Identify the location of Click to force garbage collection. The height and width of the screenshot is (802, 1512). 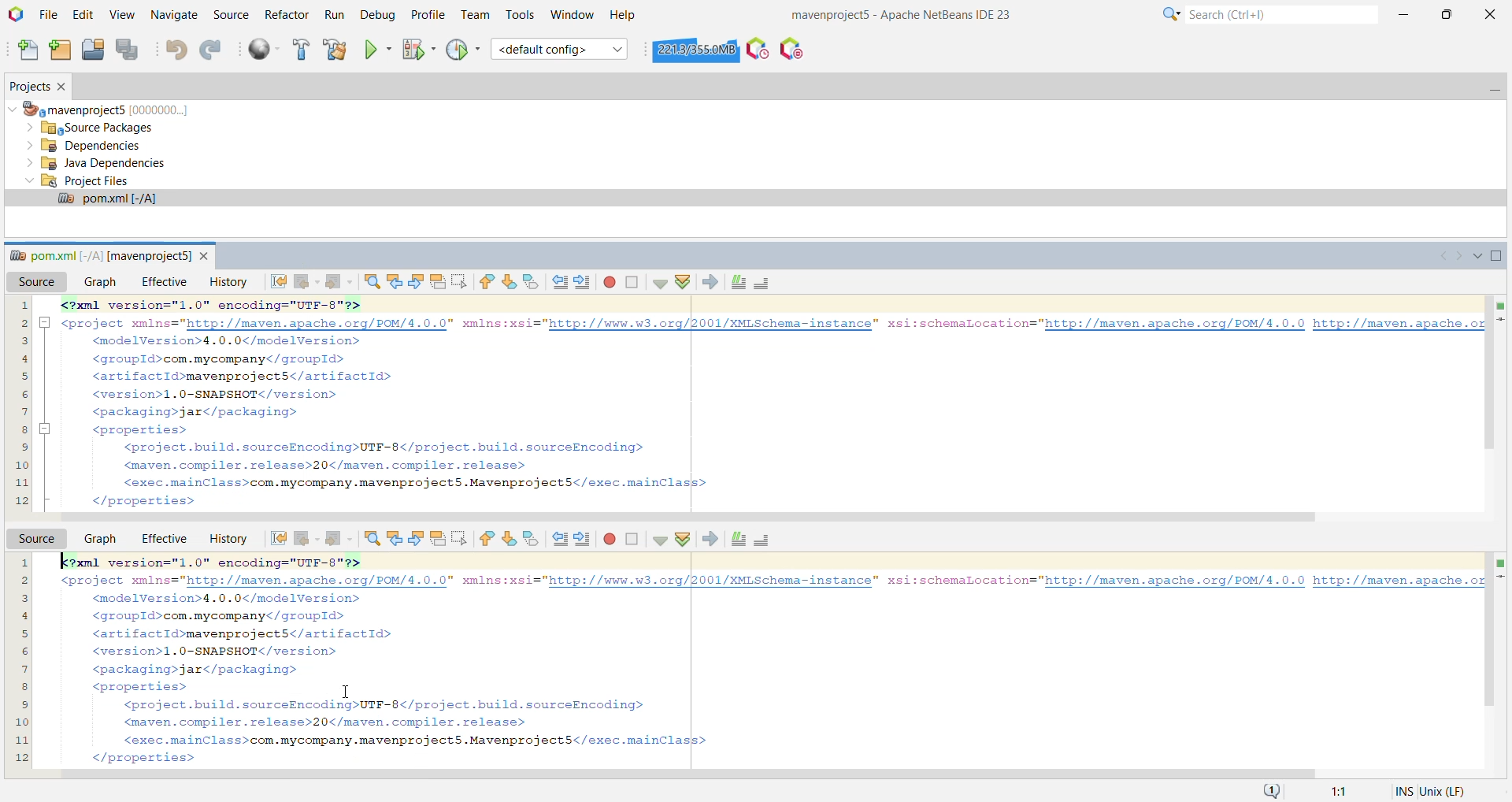
(696, 49).